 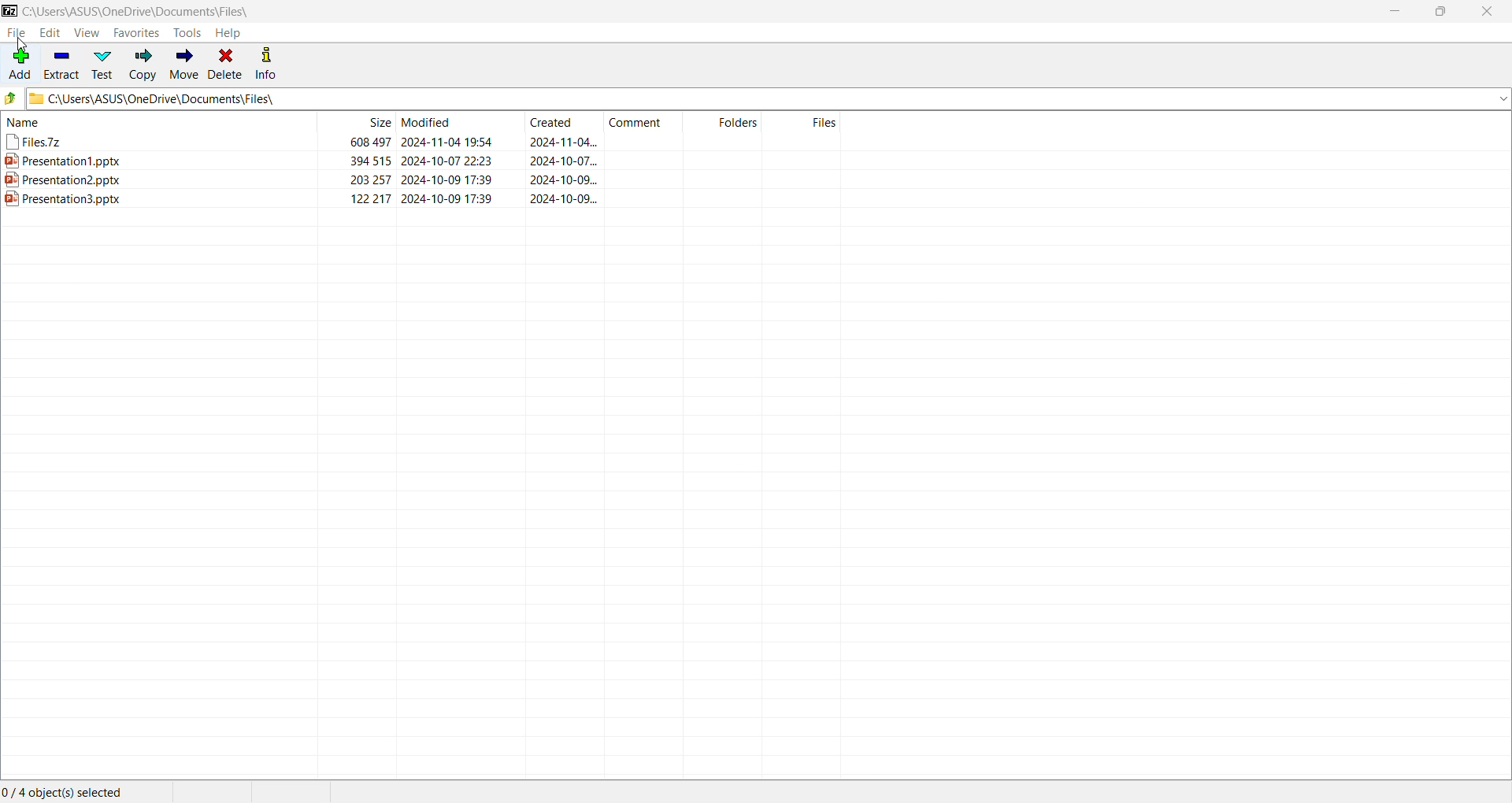 What do you see at coordinates (267, 65) in the screenshot?
I see `Info` at bounding box center [267, 65].